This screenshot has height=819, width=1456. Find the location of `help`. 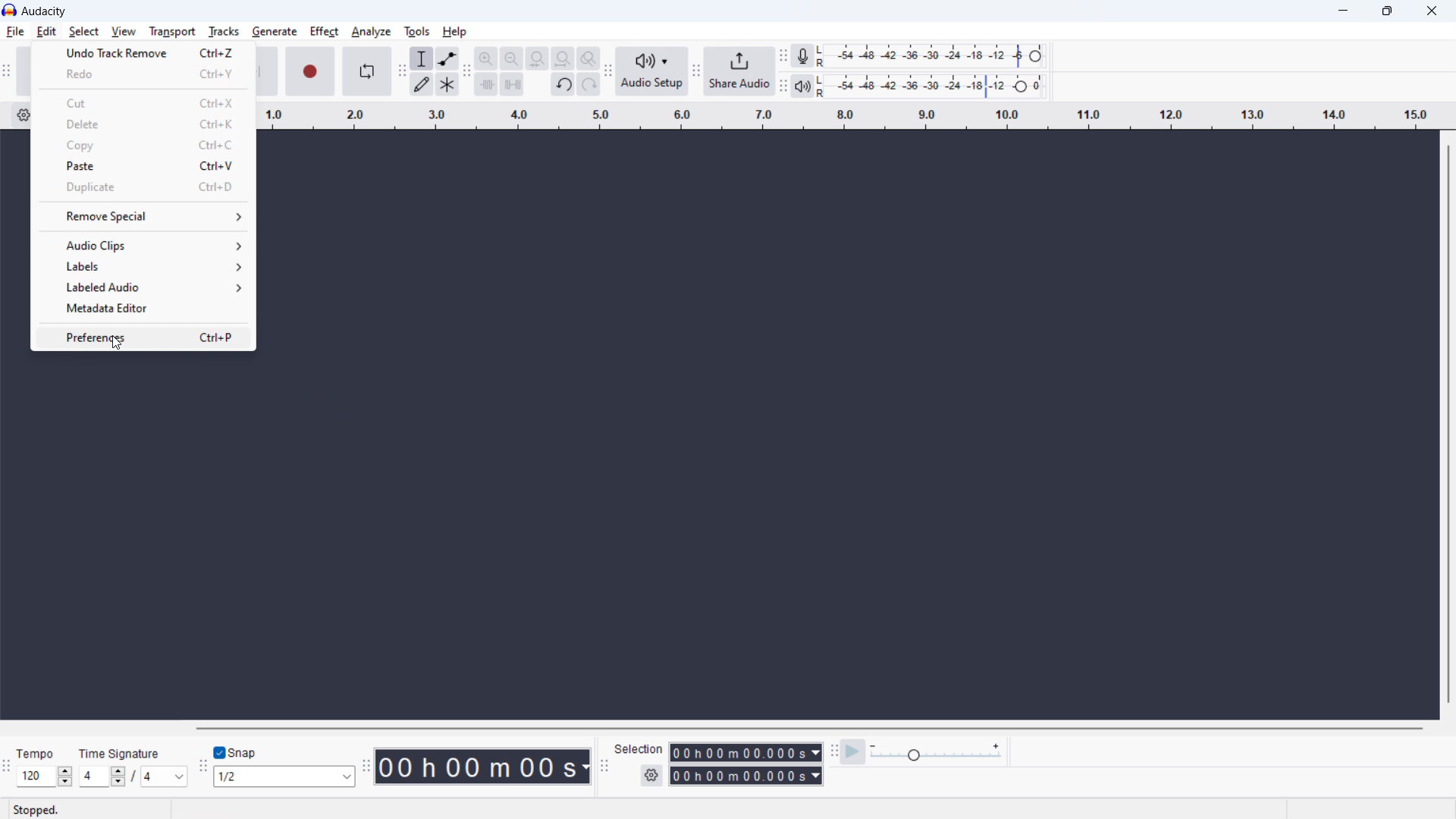

help is located at coordinates (456, 32).